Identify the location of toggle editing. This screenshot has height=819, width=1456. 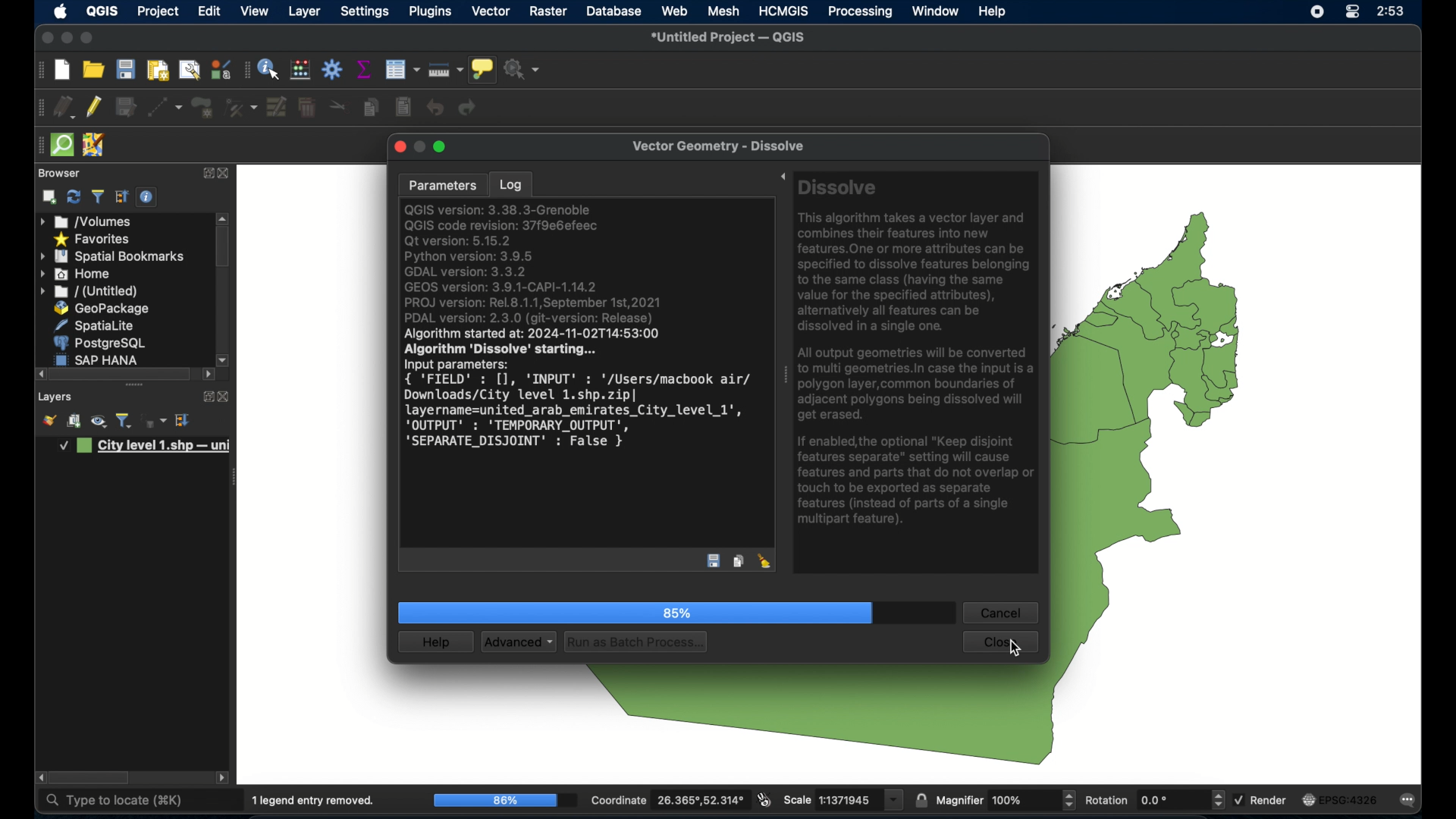
(95, 107).